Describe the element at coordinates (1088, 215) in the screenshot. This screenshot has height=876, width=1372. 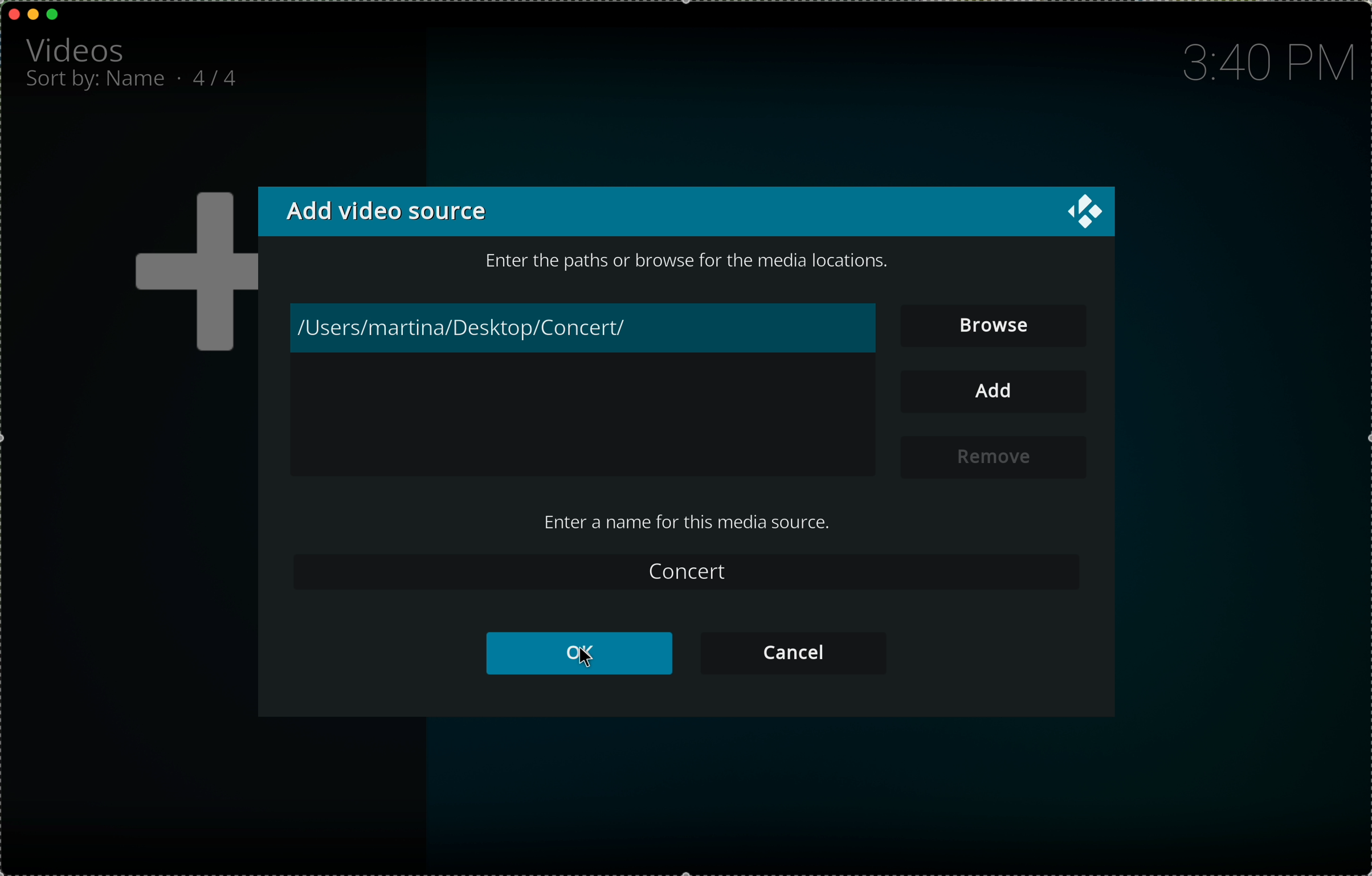
I see `close` at that location.